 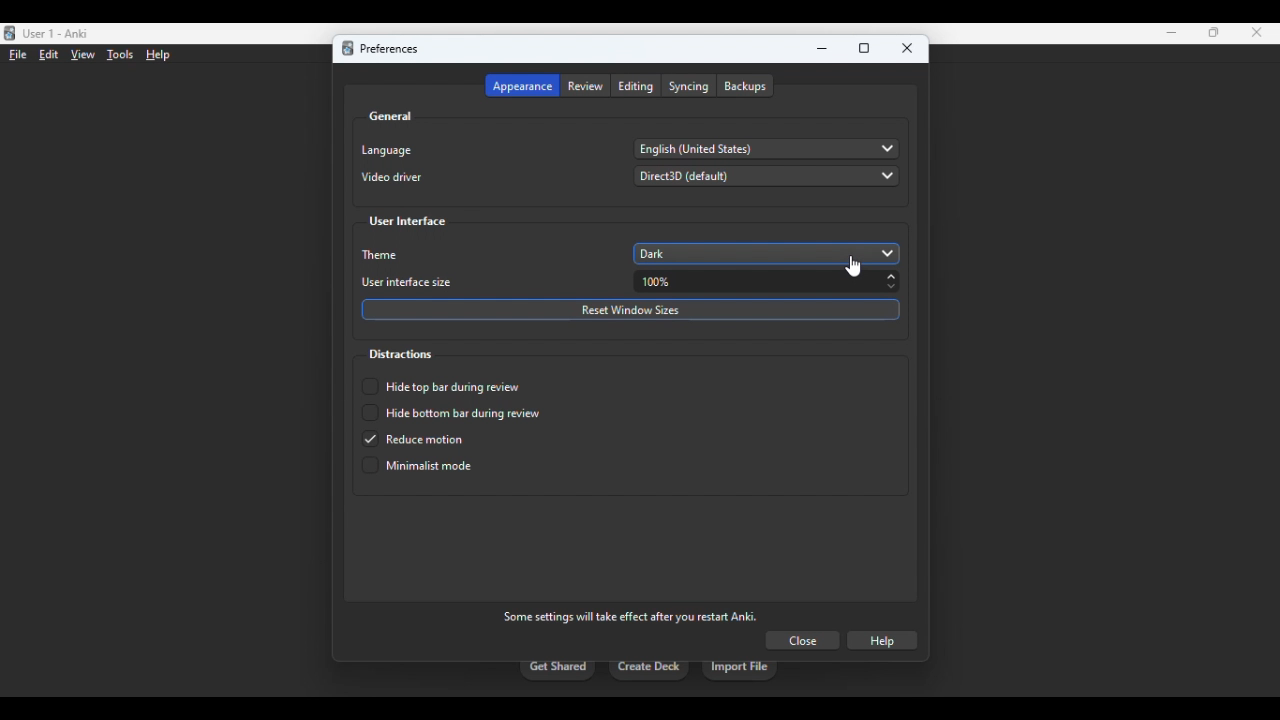 I want to click on minimize, so click(x=823, y=49).